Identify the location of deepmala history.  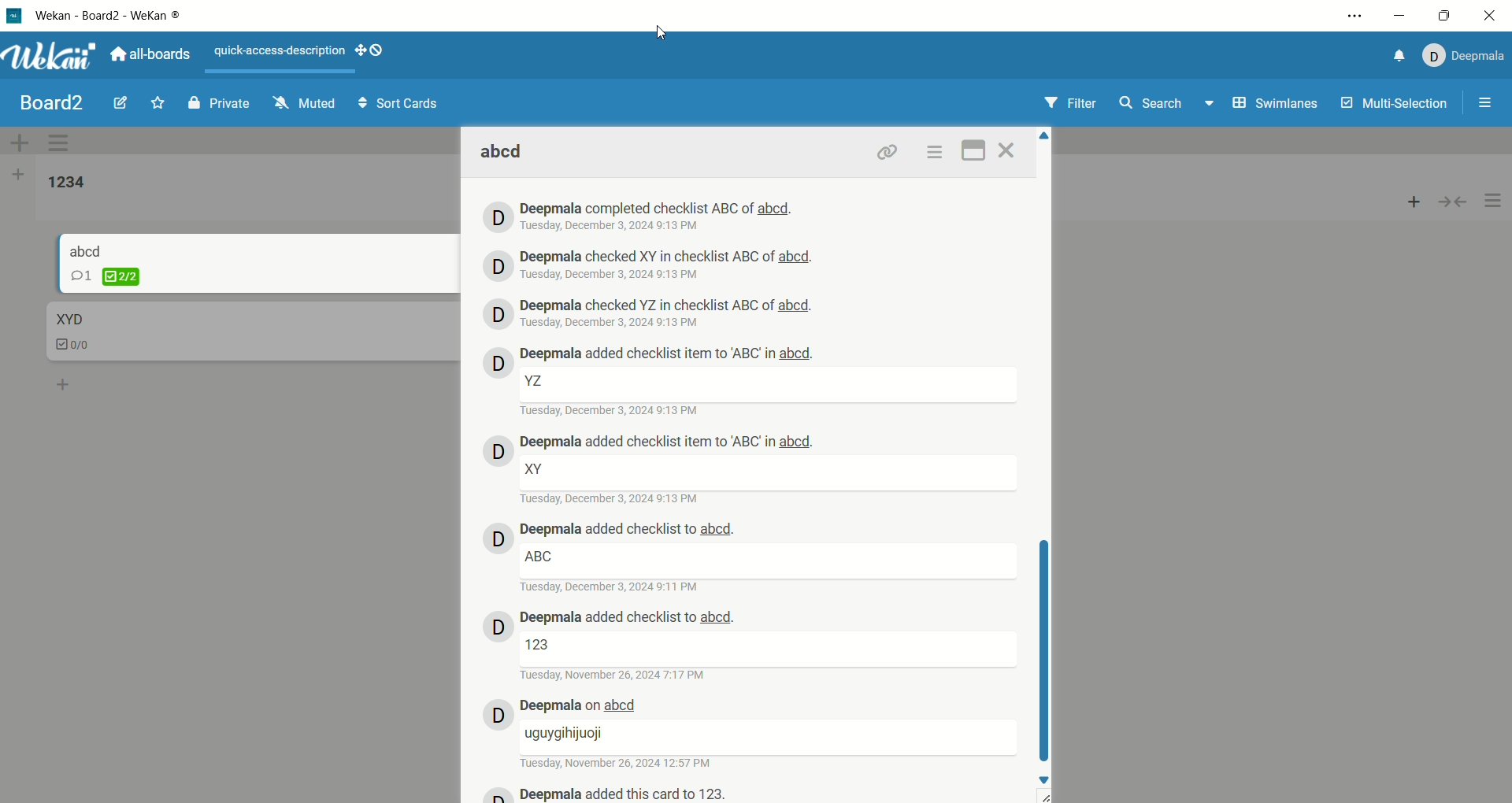
(628, 619).